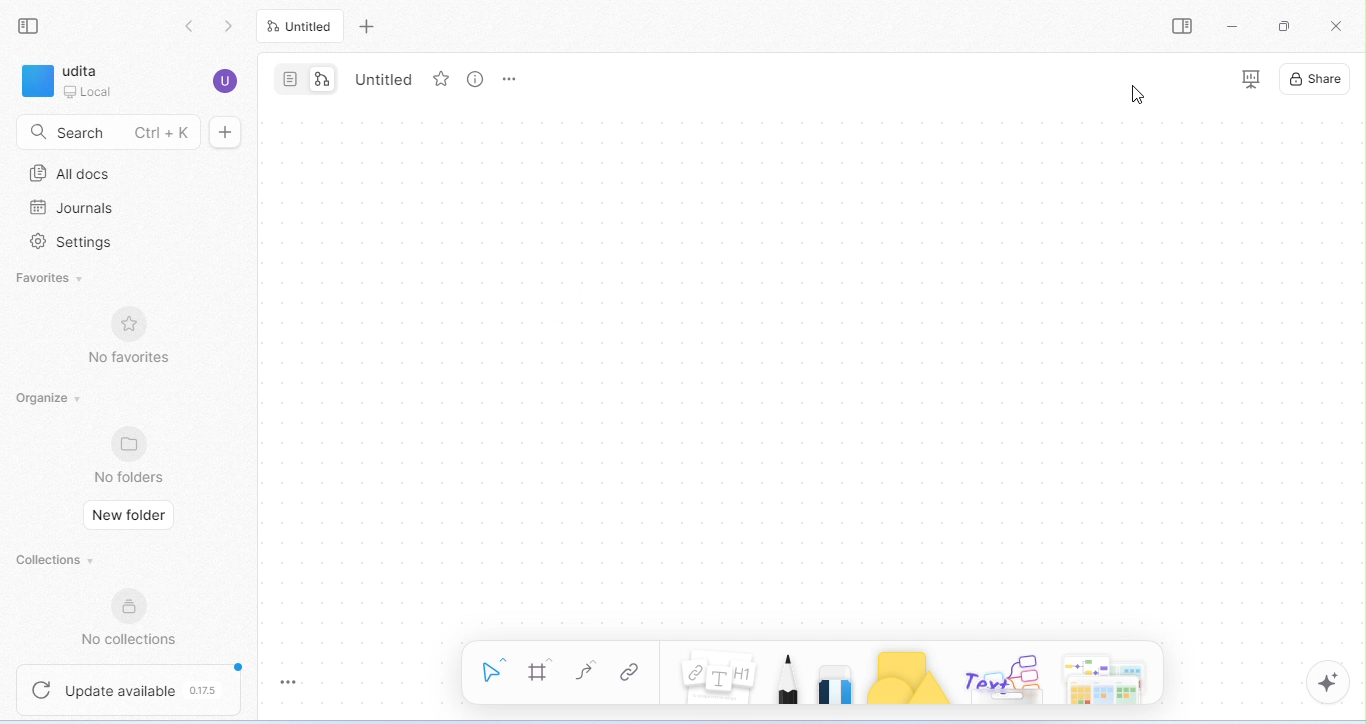 This screenshot has height=724, width=1366. I want to click on udita Local, so click(74, 83).